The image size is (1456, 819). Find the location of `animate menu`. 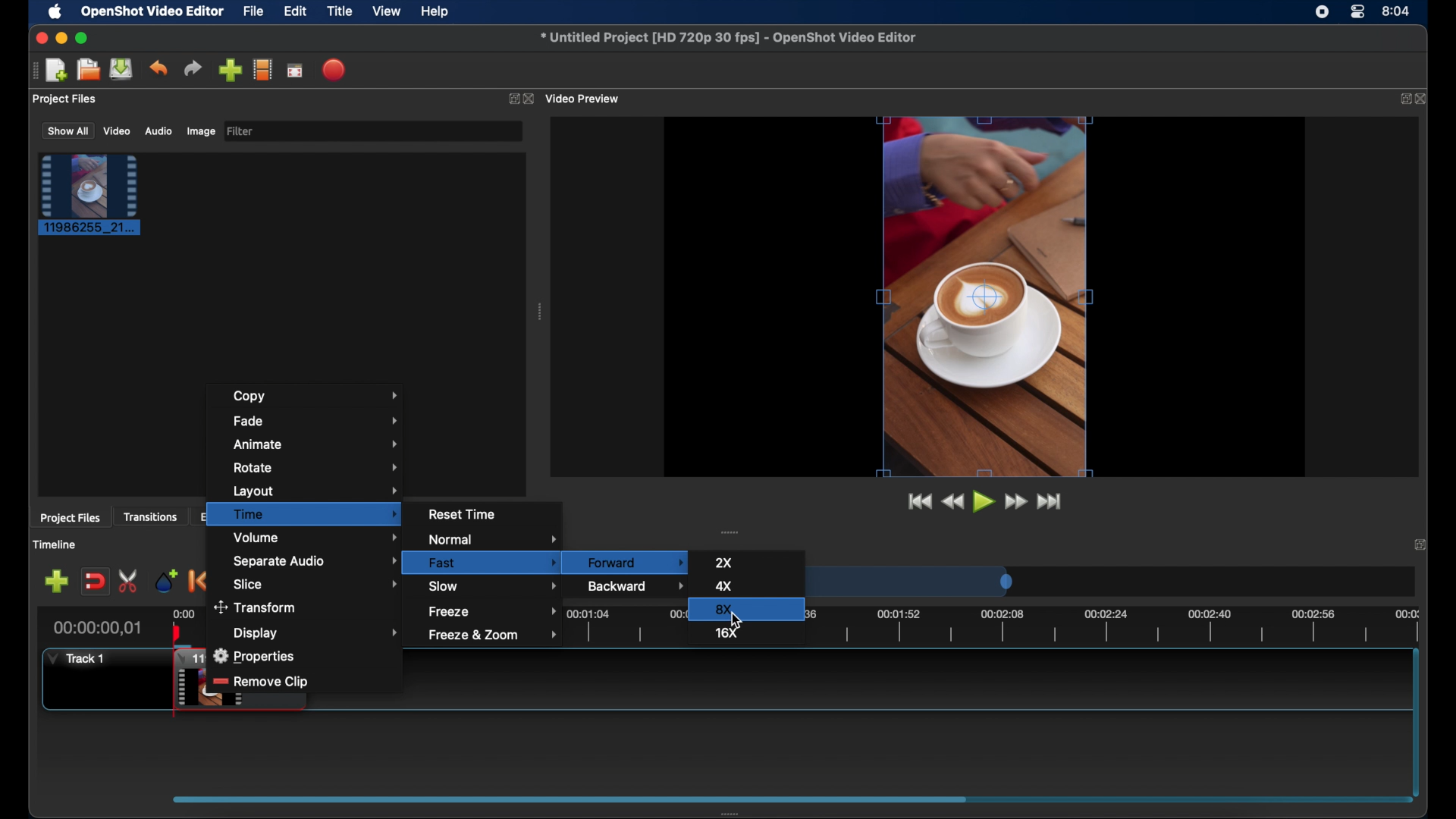

animate menu is located at coordinates (316, 444).